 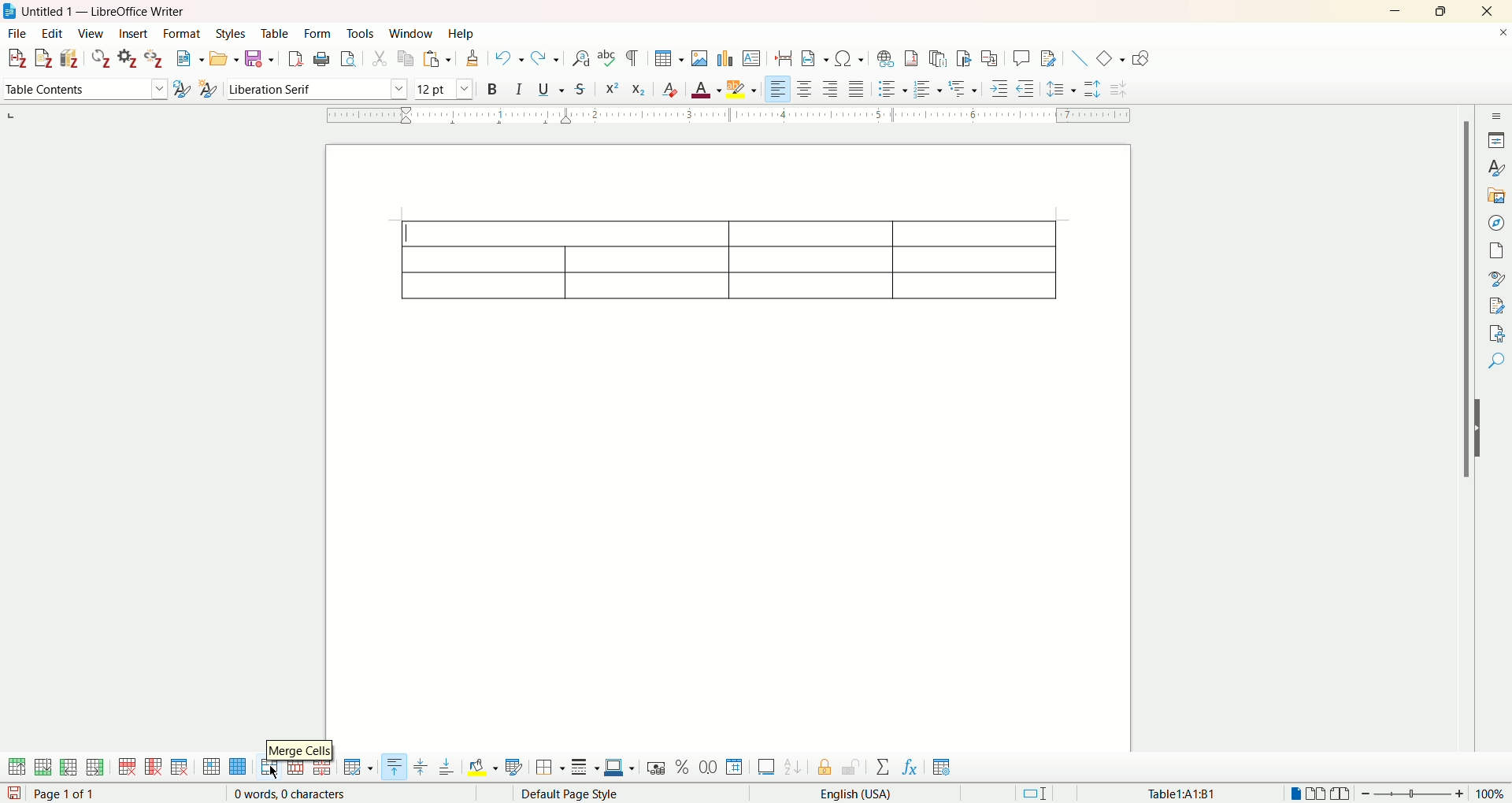 I want to click on spelling check, so click(x=607, y=59).